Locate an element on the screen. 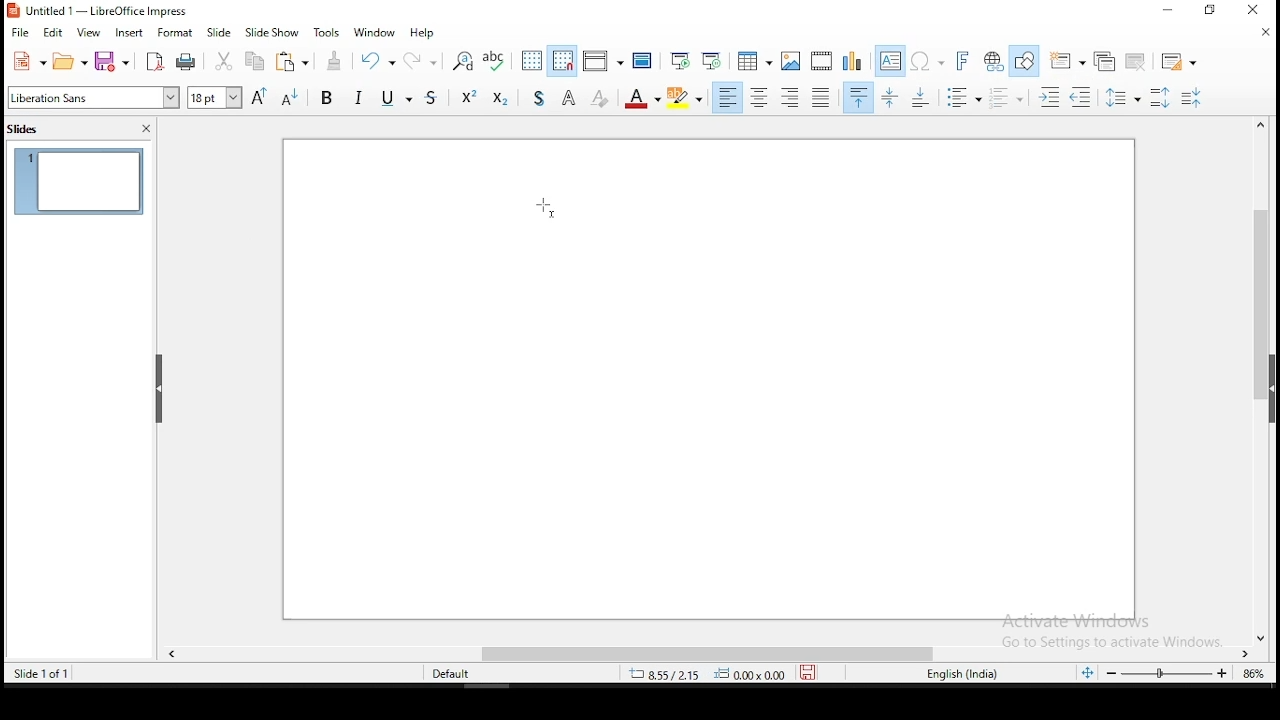 The height and width of the screenshot is (720, 1280). new tool is located at coordinates (26, 62).